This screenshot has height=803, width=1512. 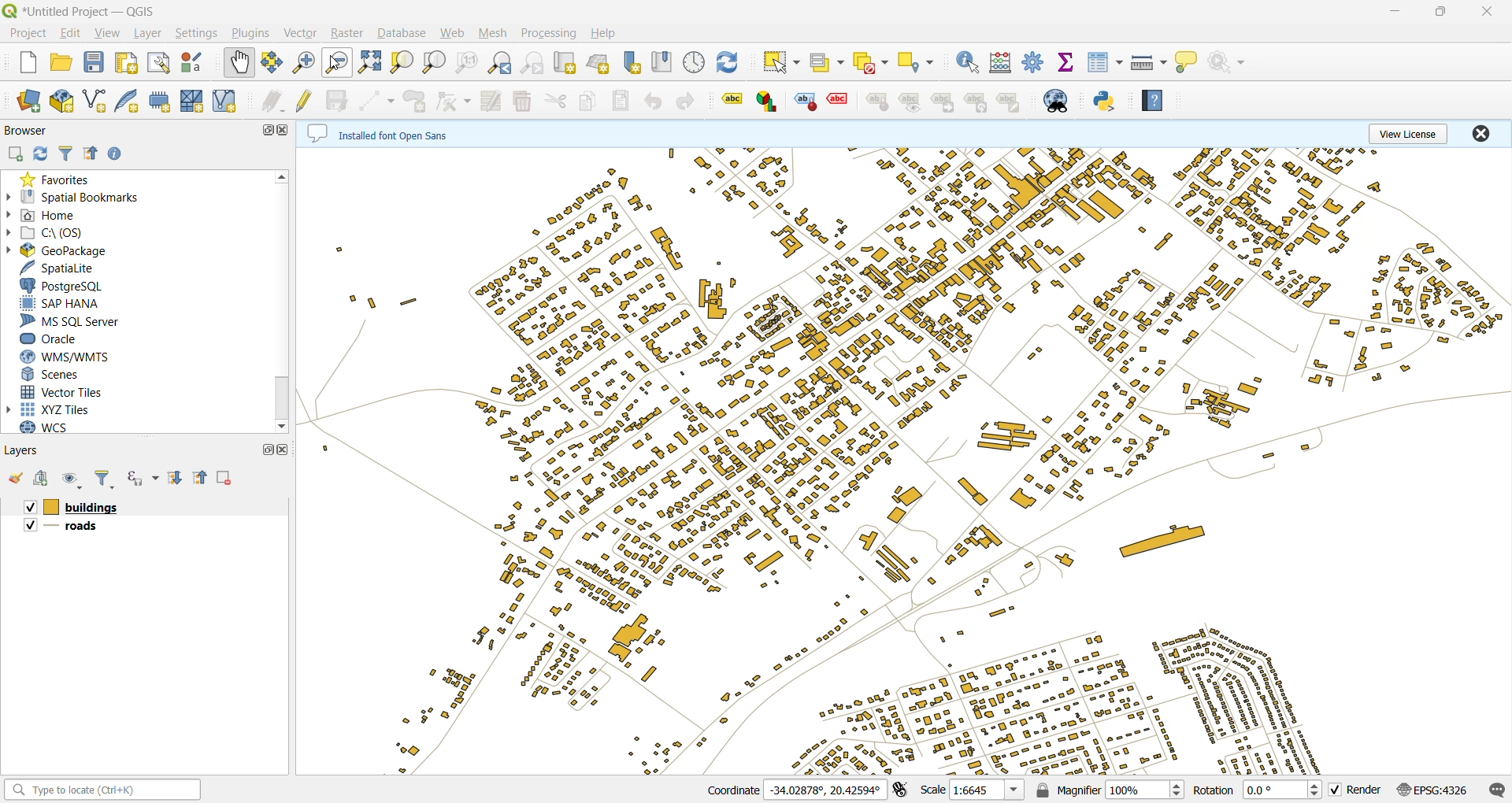 I want to click on metasearch, so click(x=1062, y=101).